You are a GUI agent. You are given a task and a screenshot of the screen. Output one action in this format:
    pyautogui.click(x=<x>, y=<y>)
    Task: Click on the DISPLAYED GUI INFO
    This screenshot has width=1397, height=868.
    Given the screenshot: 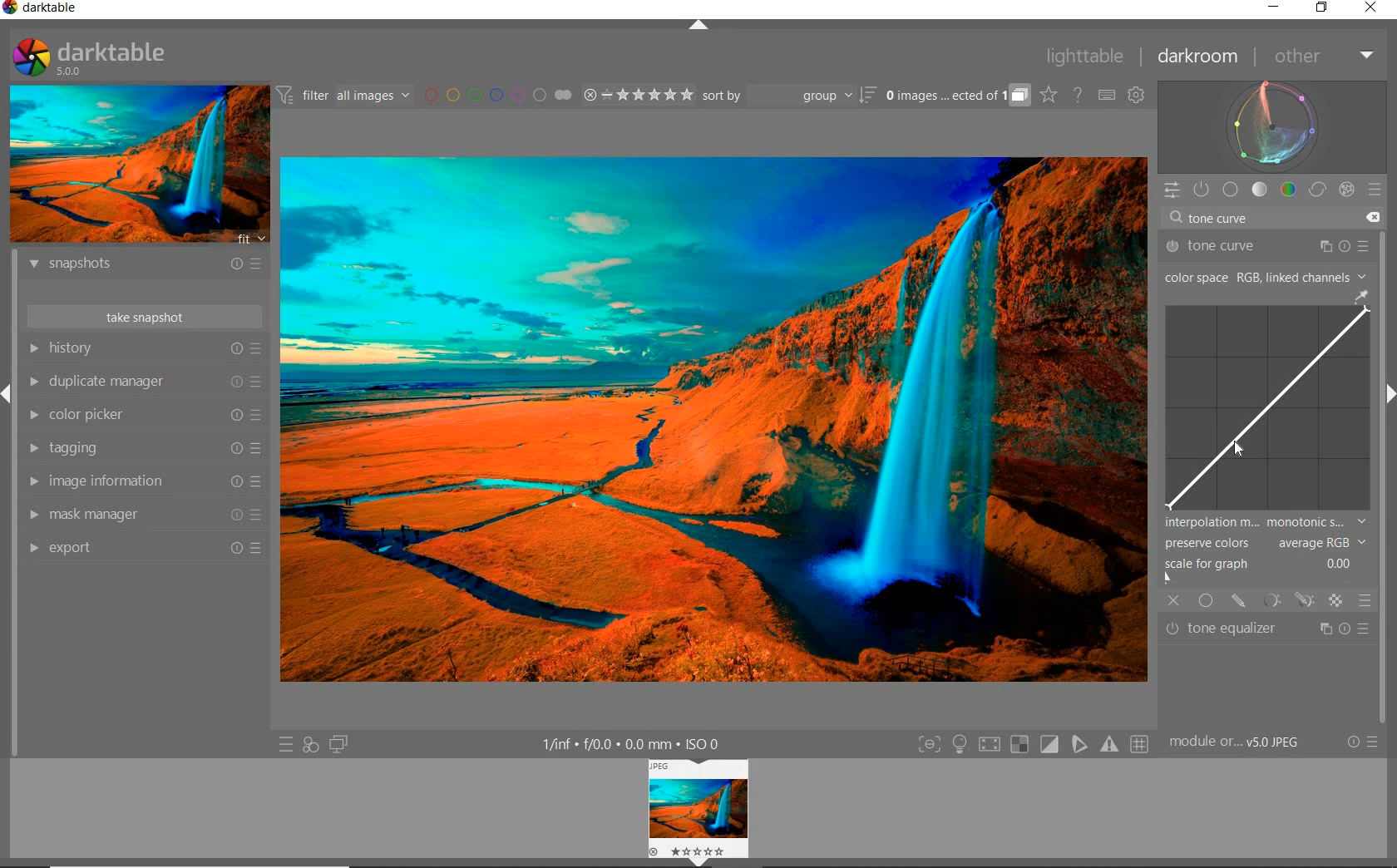 What is the action you would take?
    pyautogui.click(x=635, y=743)
    